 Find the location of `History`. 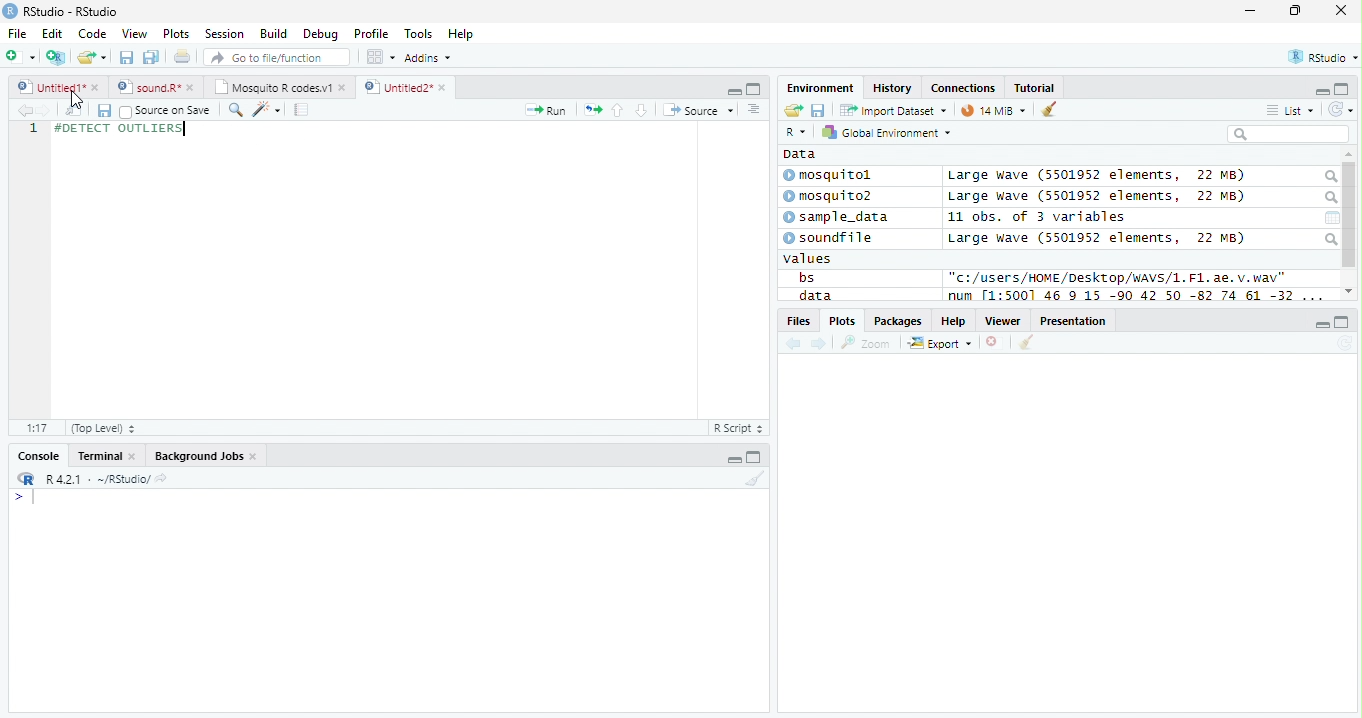

History is located at coordinates (892, 88).